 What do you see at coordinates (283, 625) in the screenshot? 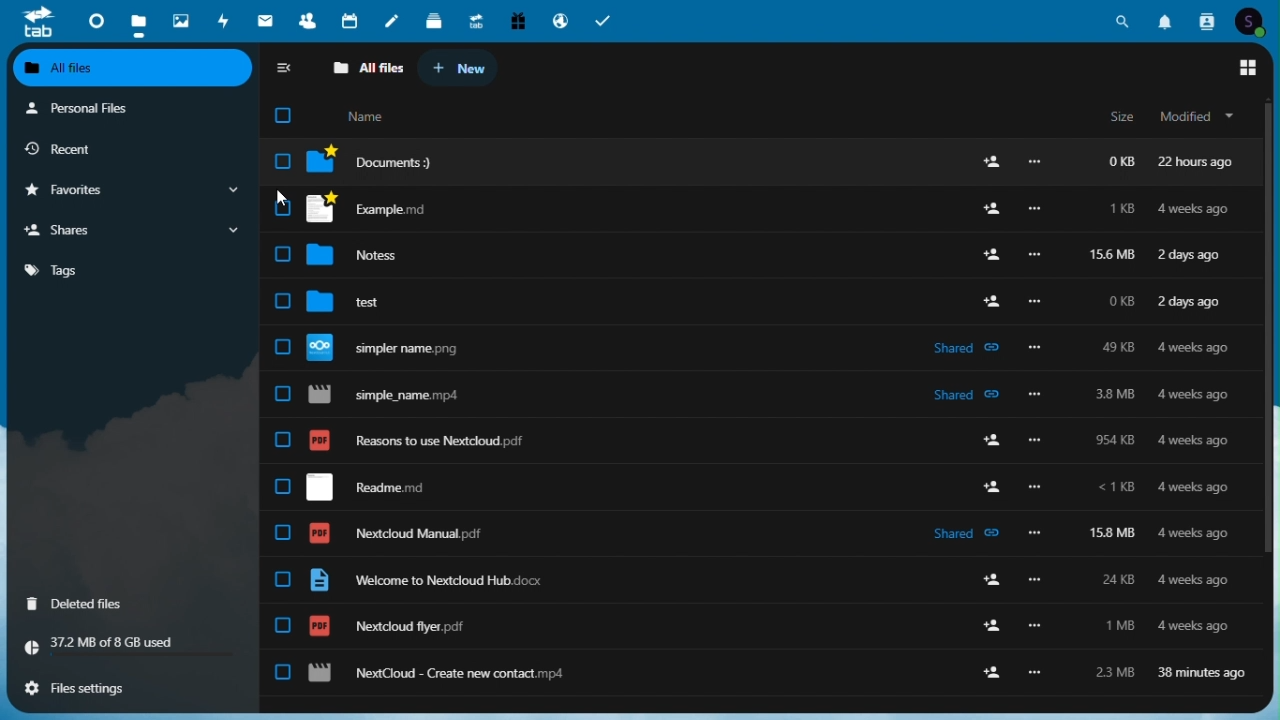
I see `check box` at bounding box center [283, 625].